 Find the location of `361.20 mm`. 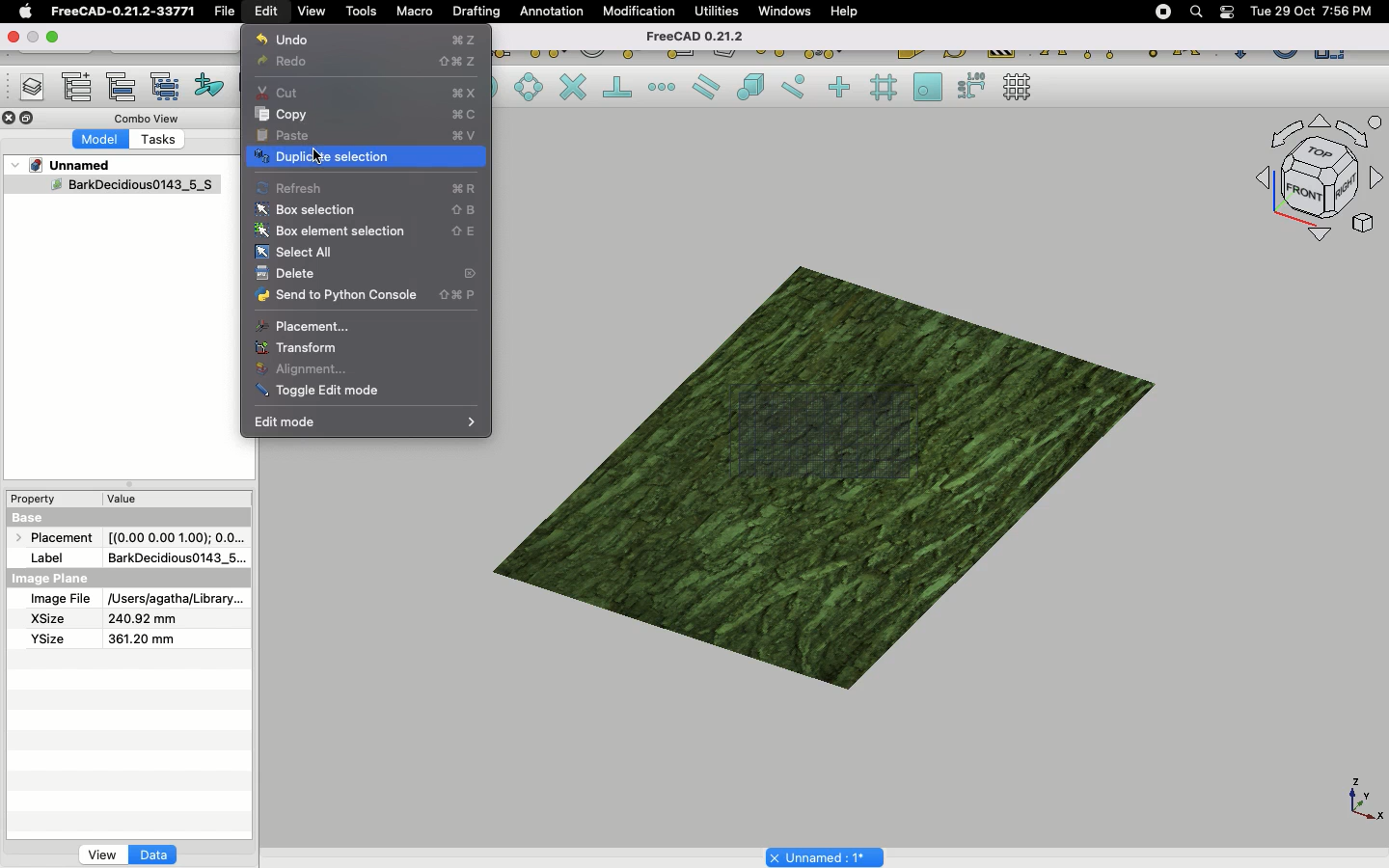

361.20 mm is located at coordinates (139, 638).